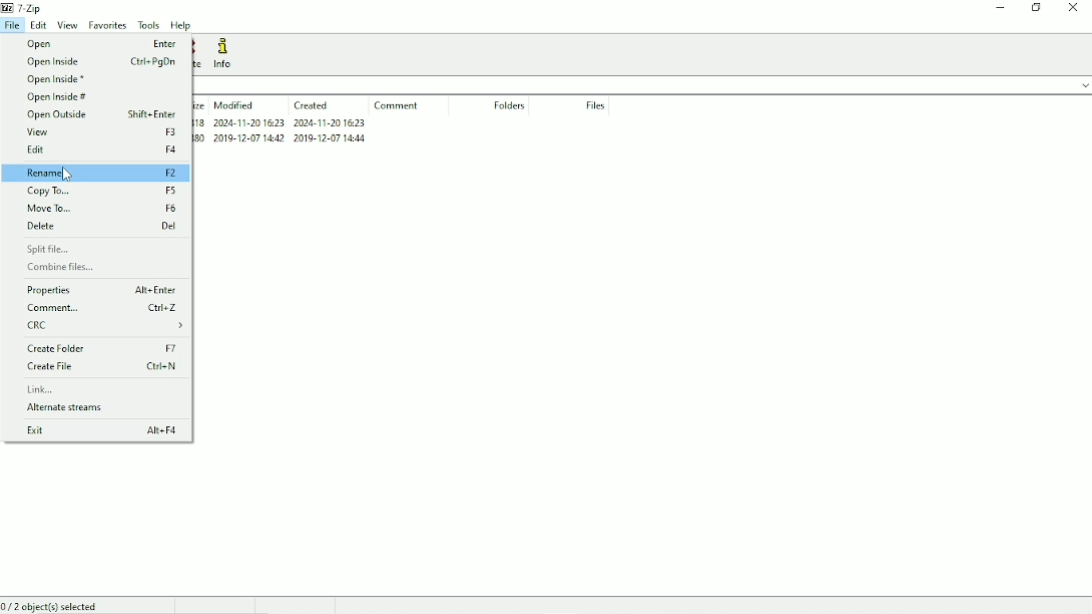  What do you see at coordinates (149, 26) in the screenshot?
I see `Tools` at bounding box center [149, 26].